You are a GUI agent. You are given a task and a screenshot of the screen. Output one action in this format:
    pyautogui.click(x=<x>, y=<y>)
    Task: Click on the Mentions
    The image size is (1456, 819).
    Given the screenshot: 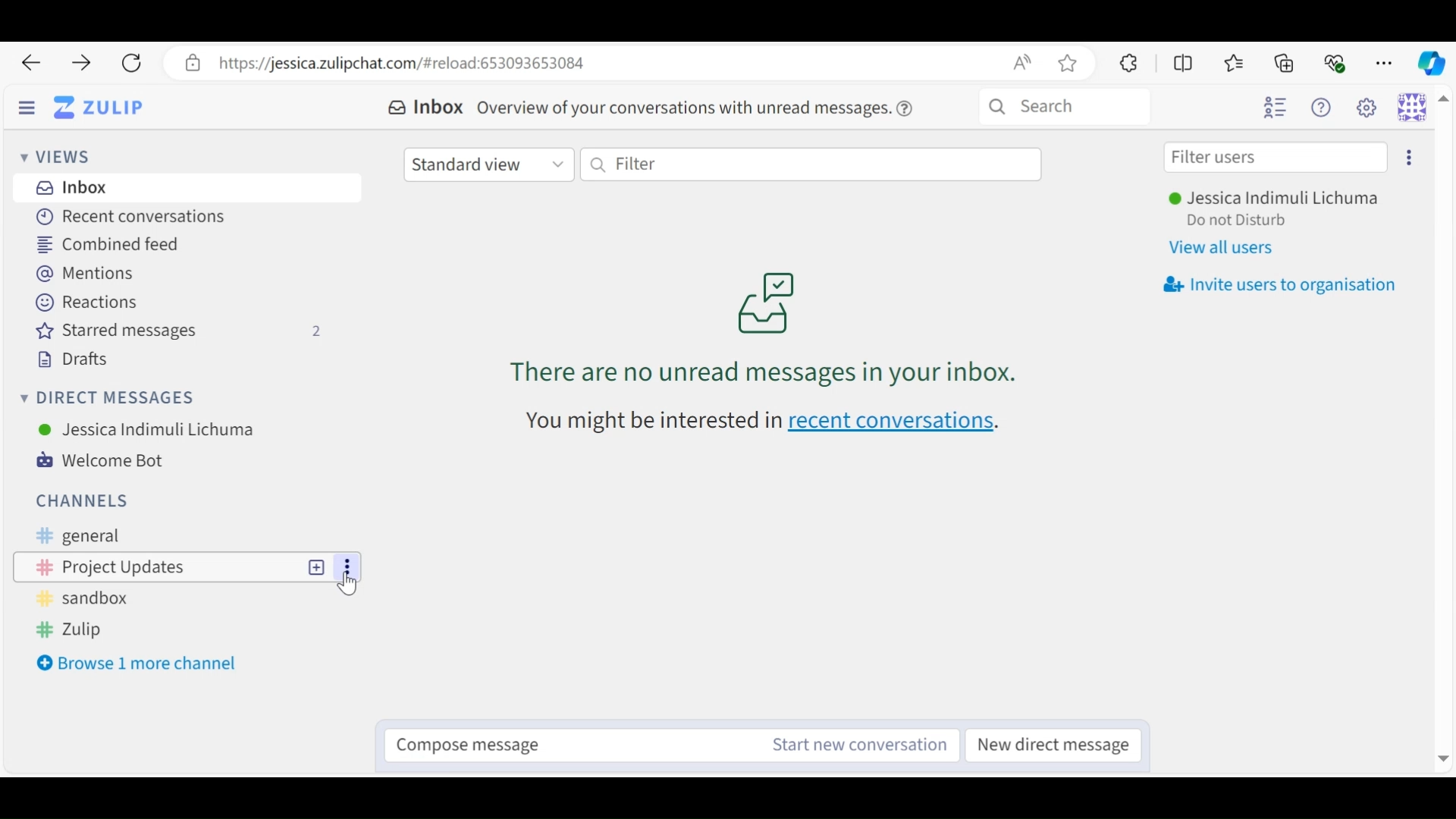 What is the action you would take?
    pyautogui.click(x=92, y=275)
    